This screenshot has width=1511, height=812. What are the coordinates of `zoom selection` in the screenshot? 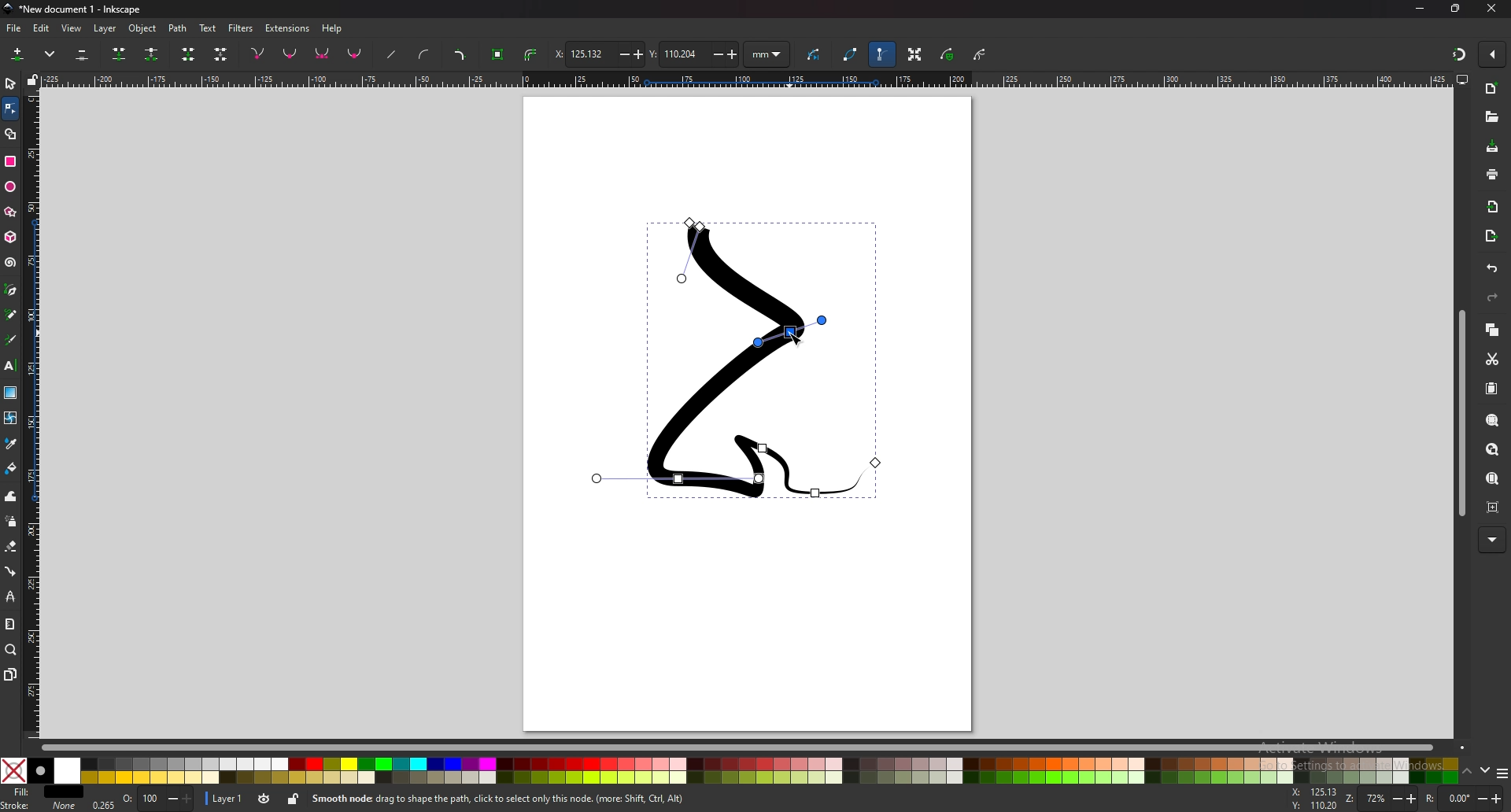 It's located at (1491, 420).